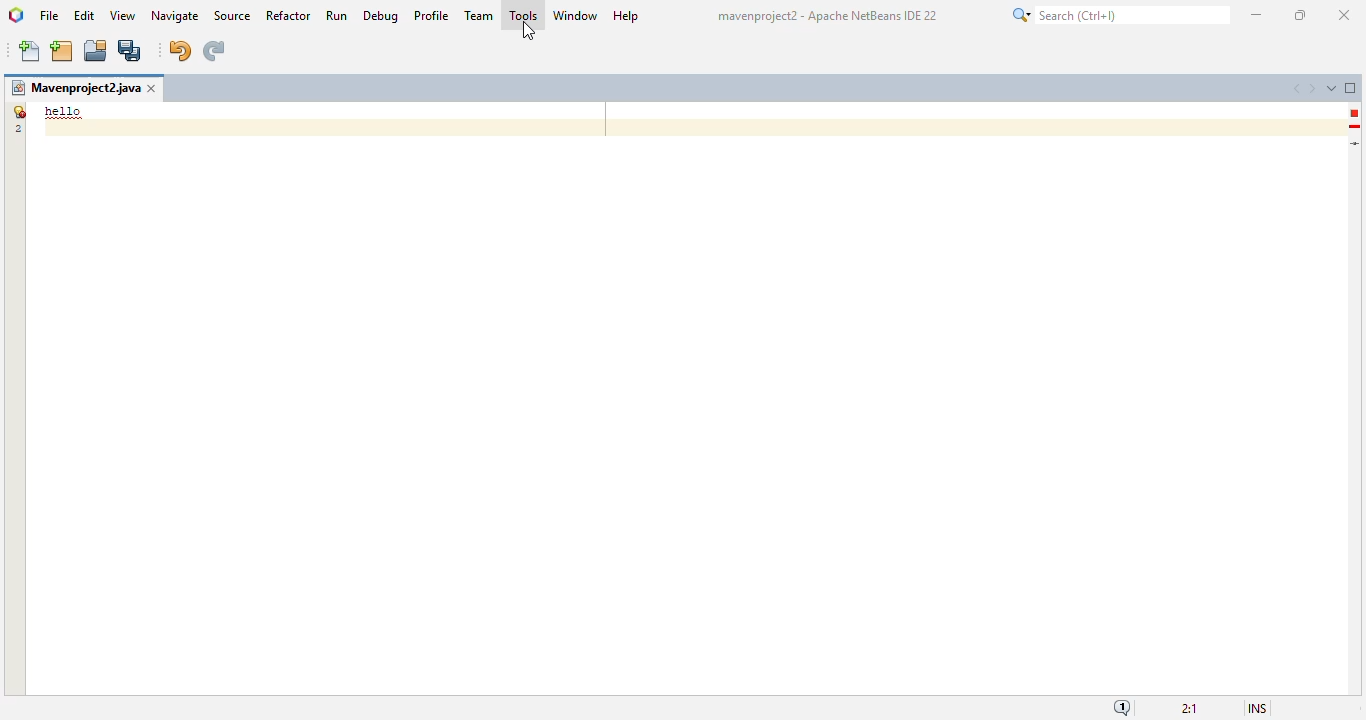 The height and width of the screenshot is (720, 1366). Describe the element at coordinates (17, 15) in the screenshot. I see `logo` at that location.